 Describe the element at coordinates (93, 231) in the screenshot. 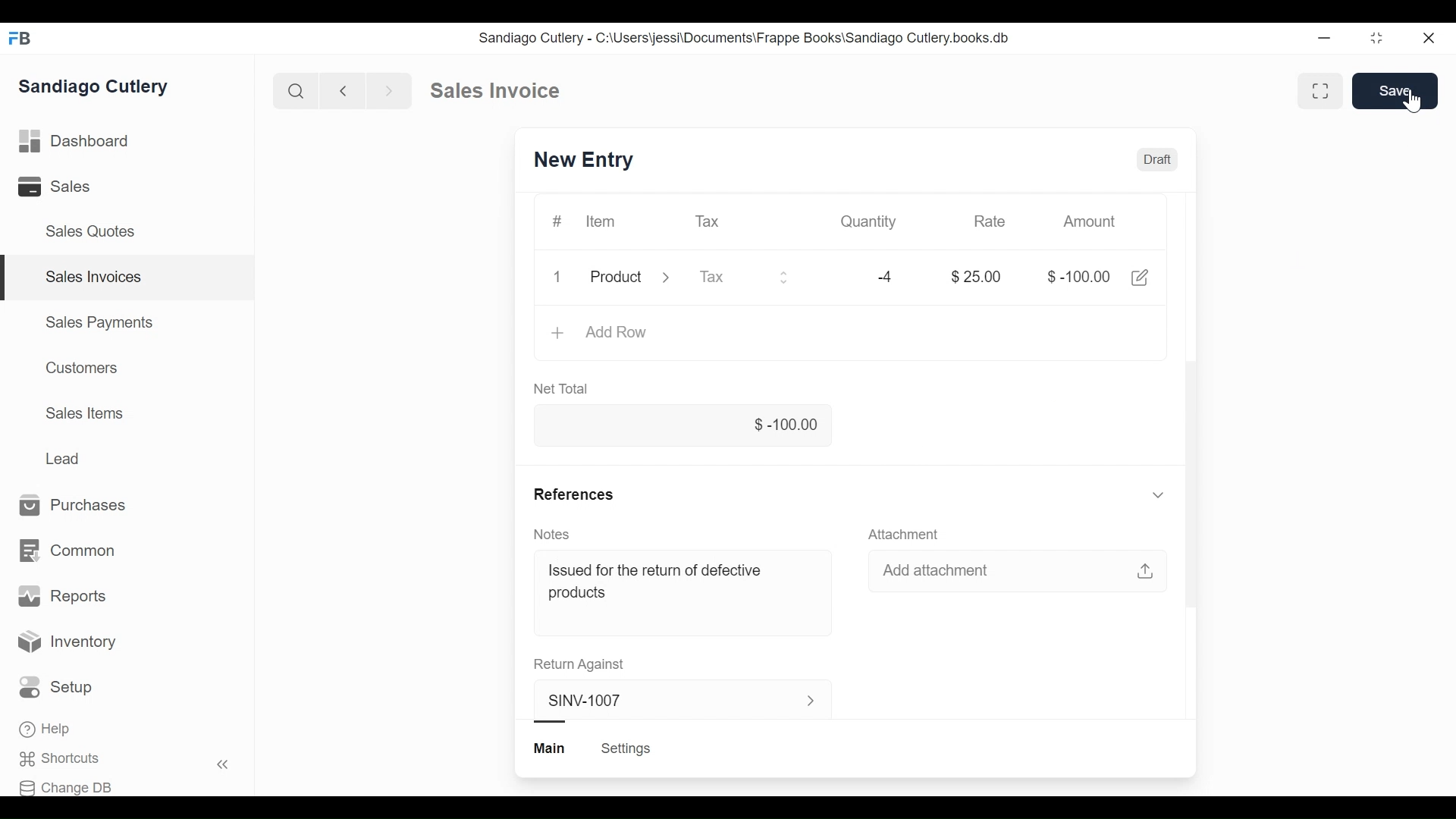

I see `Sales Quotes` at that location.